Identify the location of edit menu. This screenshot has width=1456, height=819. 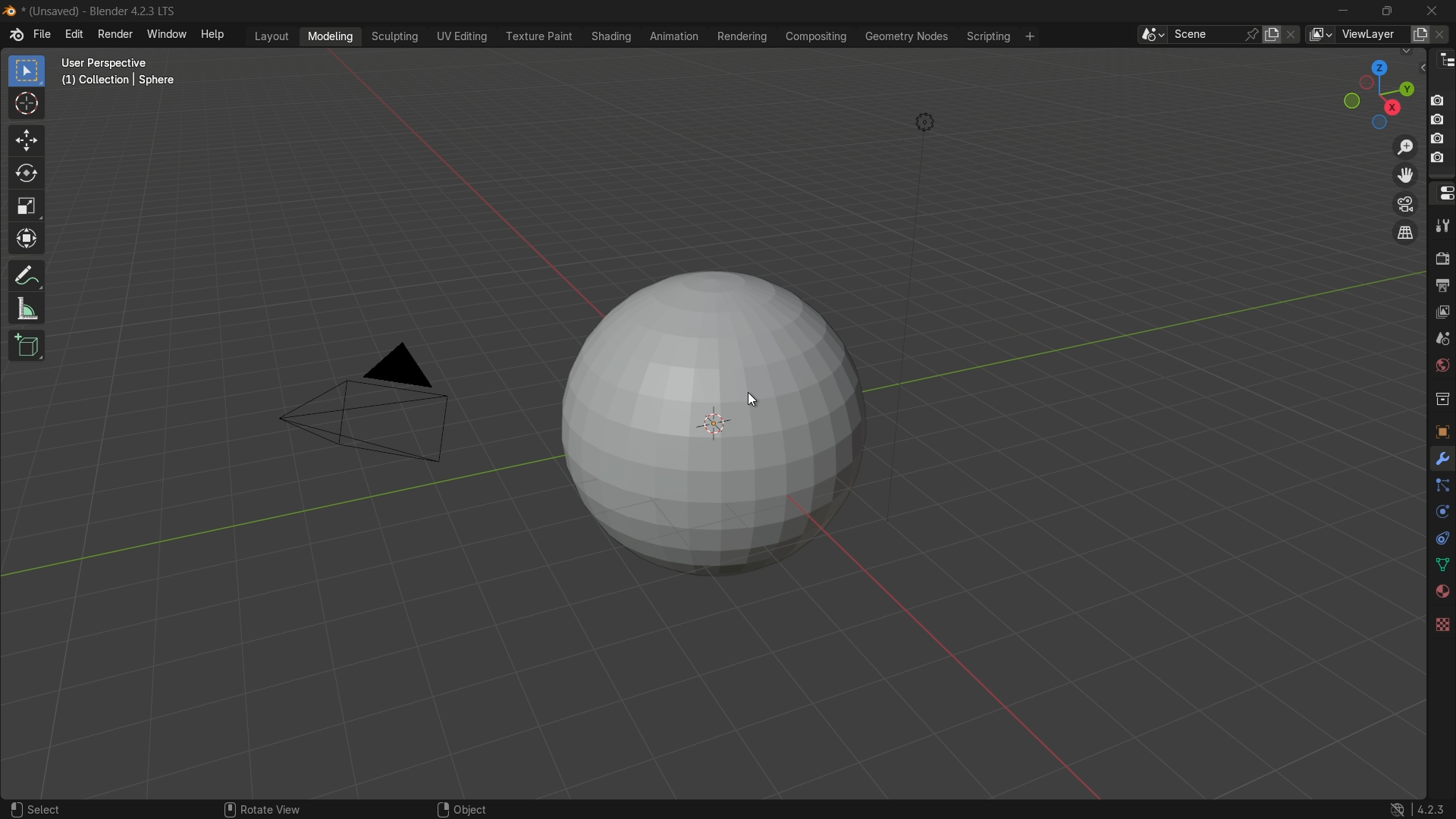
(71, 35).